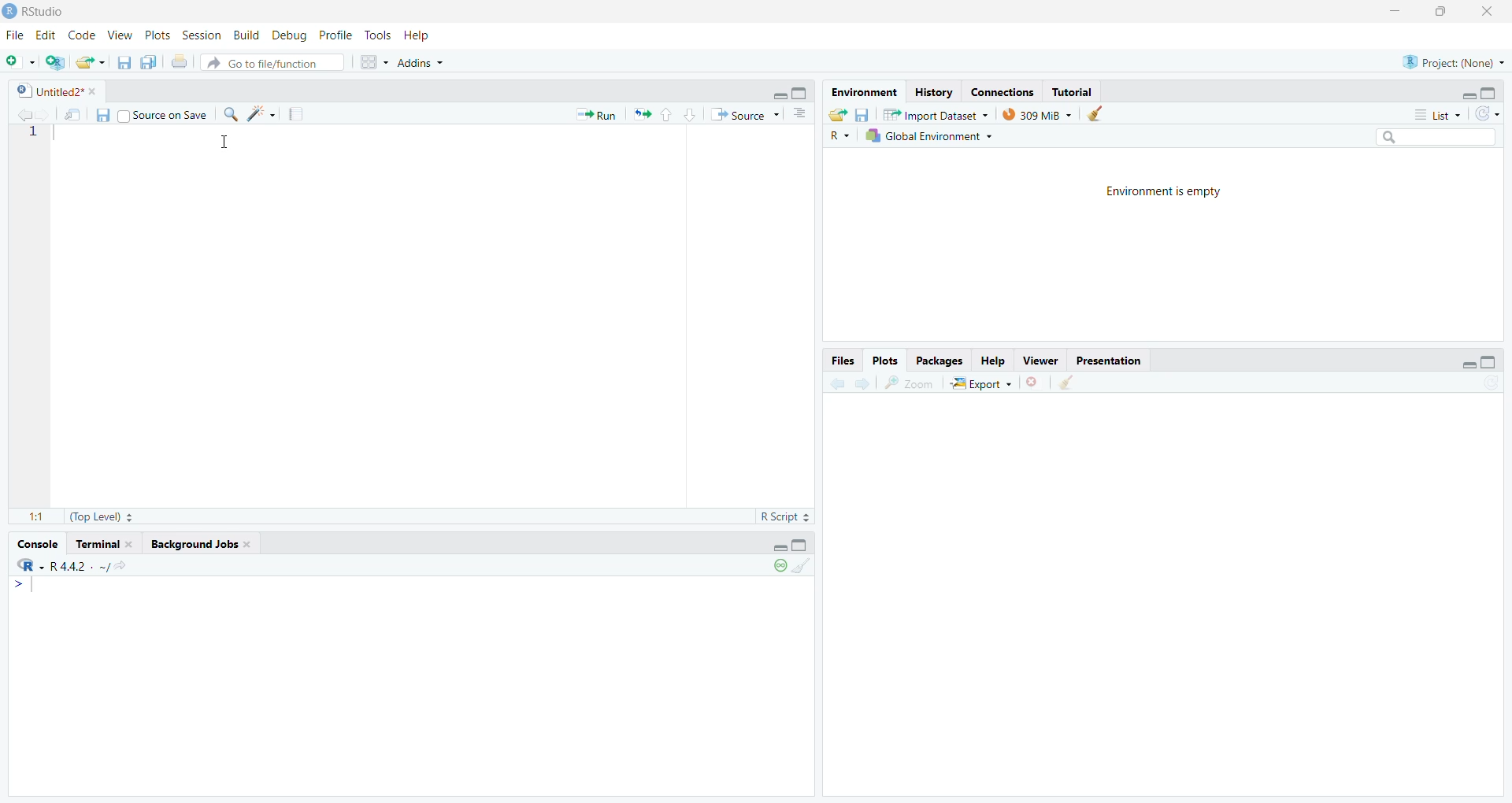  I want to click on Presentation, so click(1114, 361).